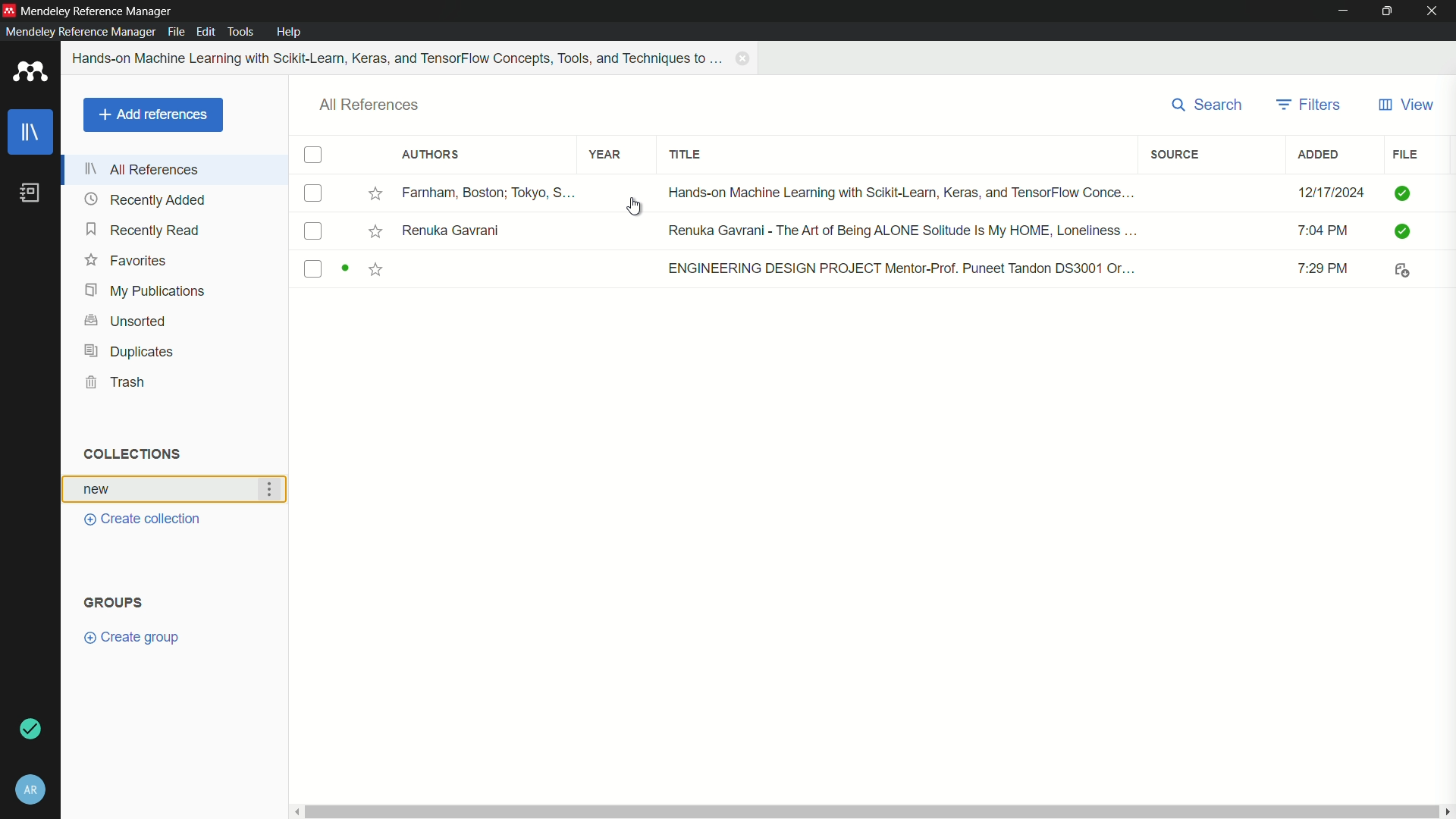  What do you see at coordinates (399, 58) in the screenshot?
I see `book name` at bounding box center [399, 58].